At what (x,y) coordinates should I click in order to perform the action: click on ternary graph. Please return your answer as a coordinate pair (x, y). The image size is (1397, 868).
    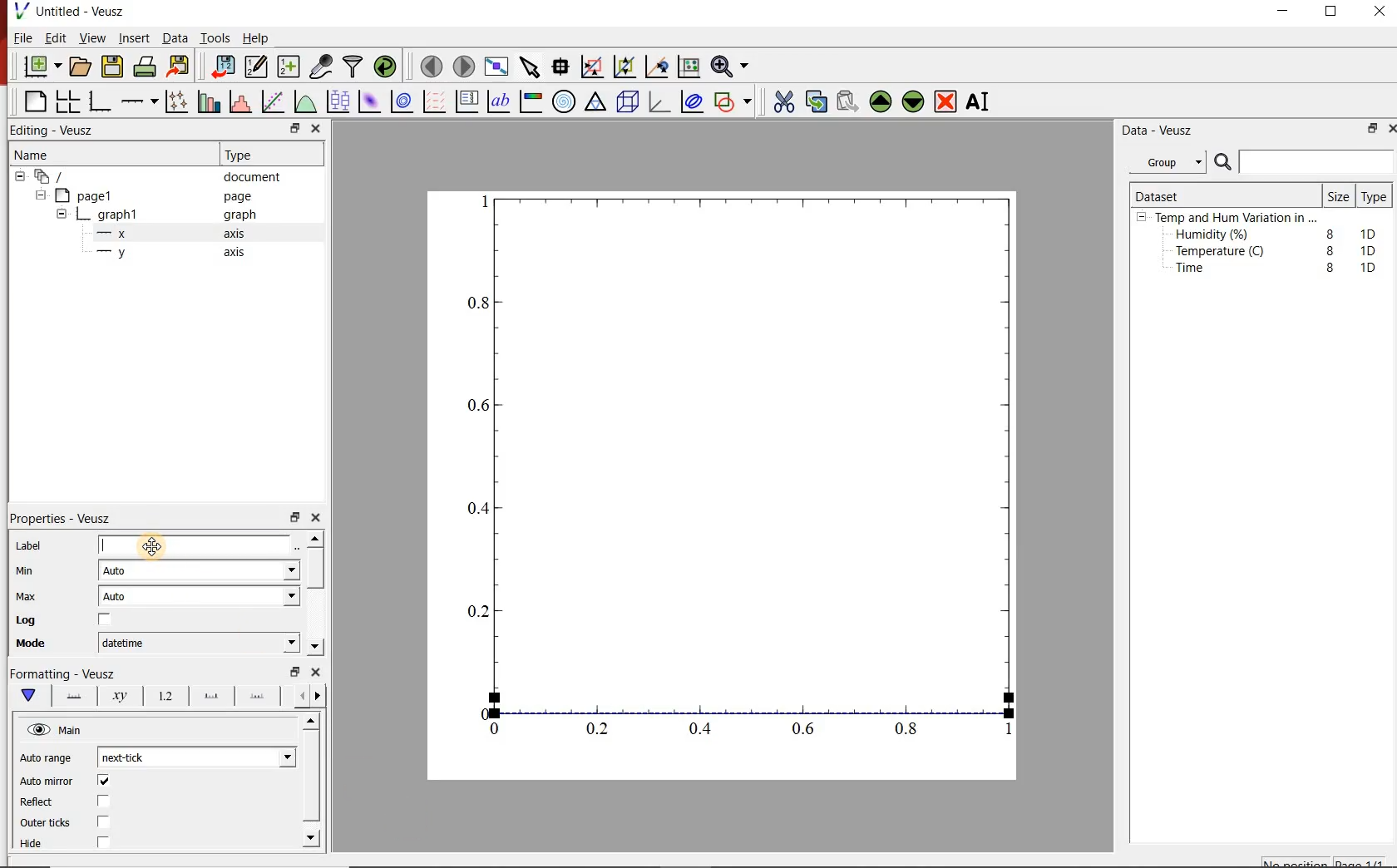
    Looking at the image, I should click on (597, 104).